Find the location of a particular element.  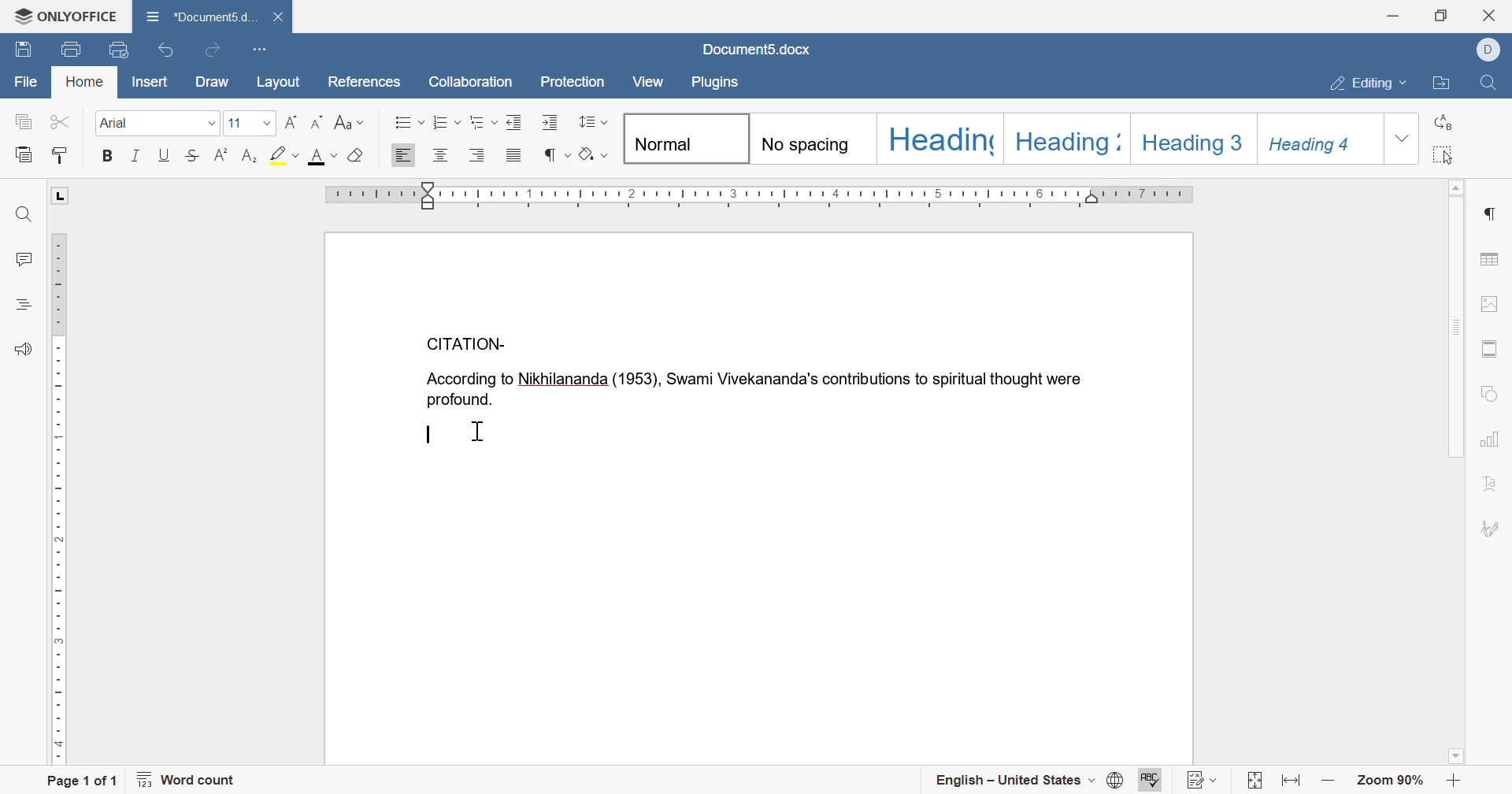

home is located at coordinates (80, 82).